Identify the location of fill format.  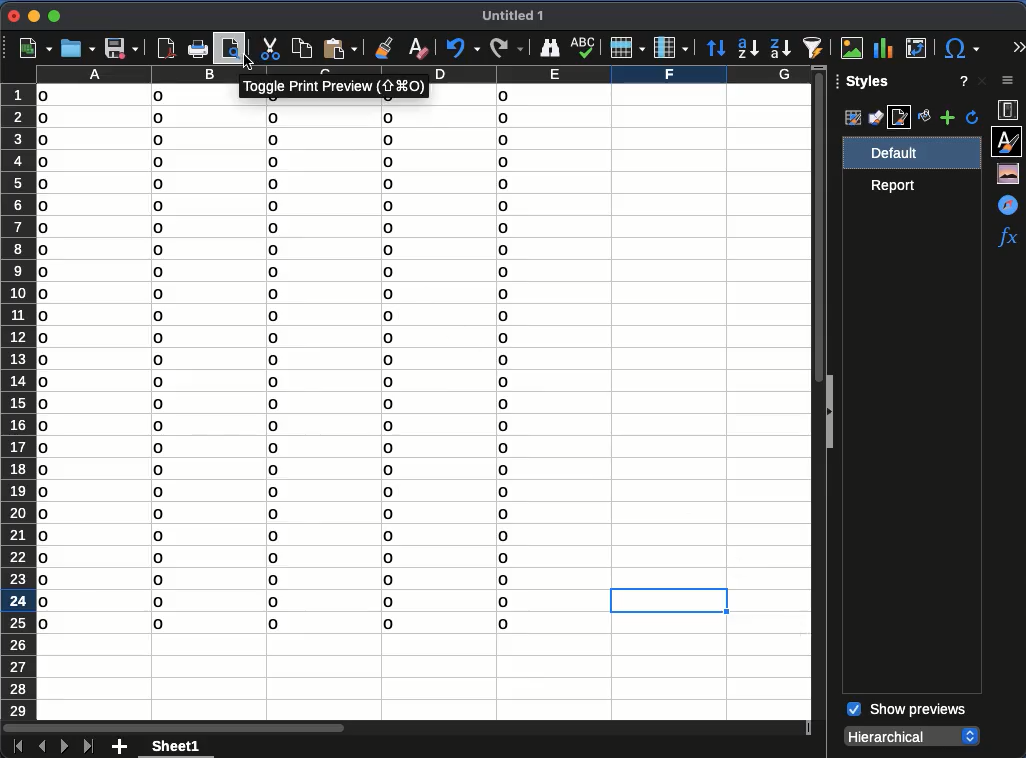
(923, 118).